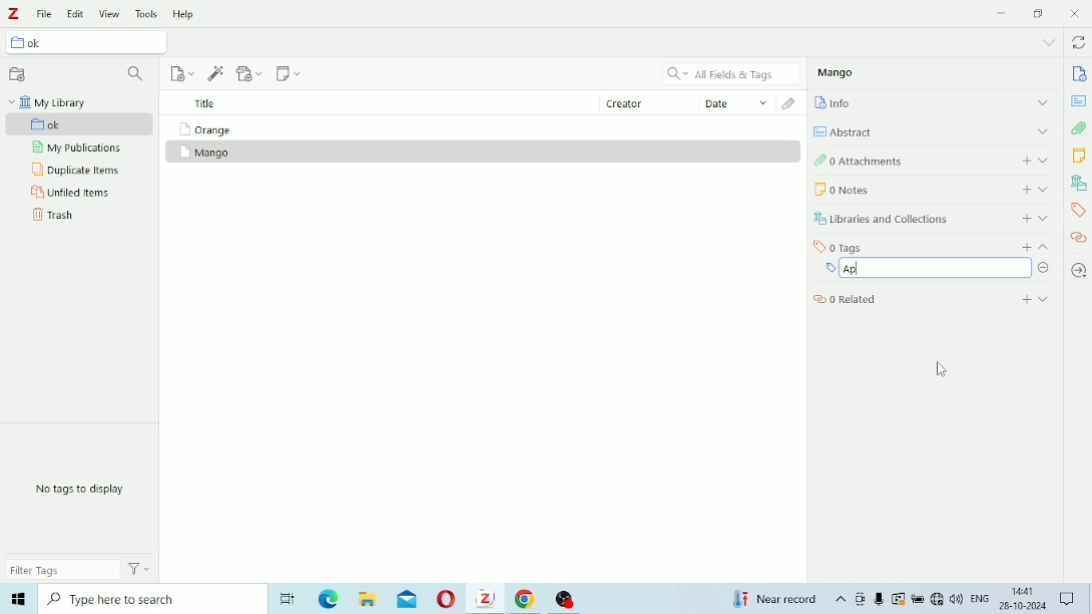 The image size is (1092, 614). What do you see at coordinates (1079, 128) in the screenshot?
I see `Attachments` at bounding box center [1079, 128].